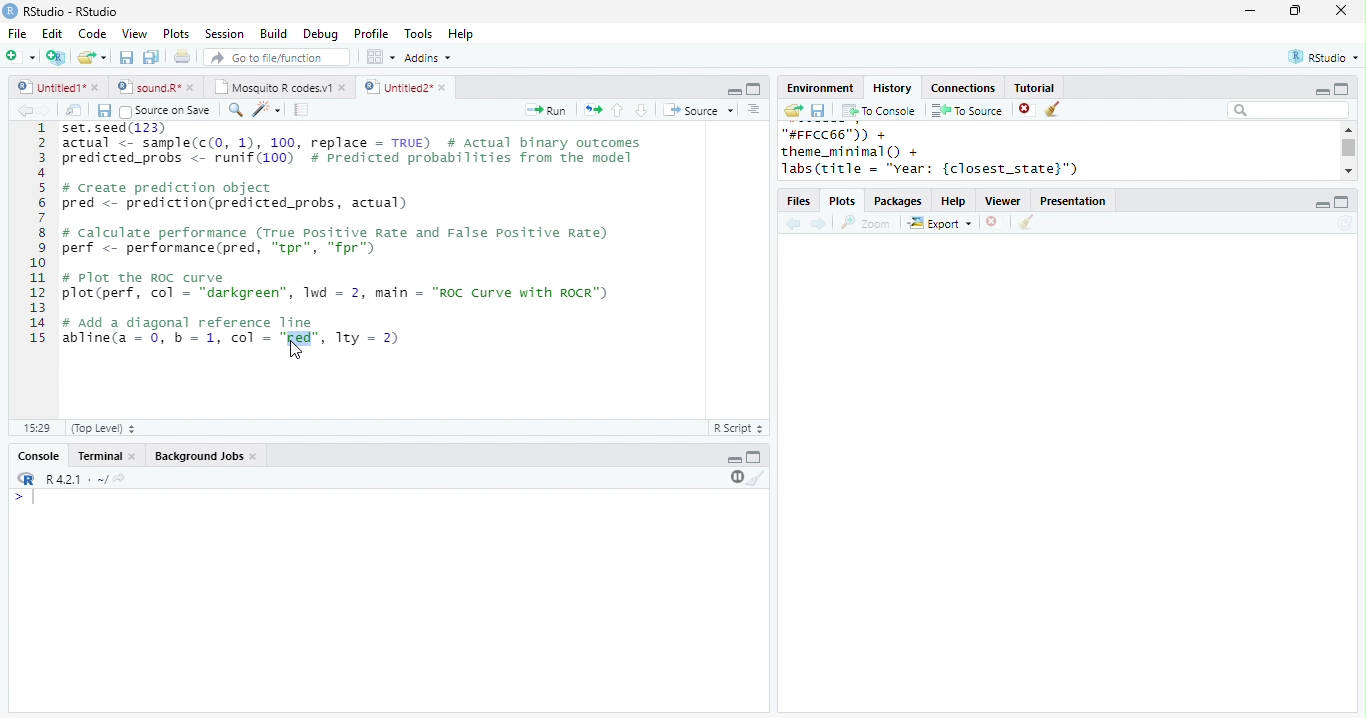 This screenshot has height=718, width=1366. What do you see at coordinates (1321, 205) in the screenshot?
I see `minimize` at bounding box center [1321, 205].